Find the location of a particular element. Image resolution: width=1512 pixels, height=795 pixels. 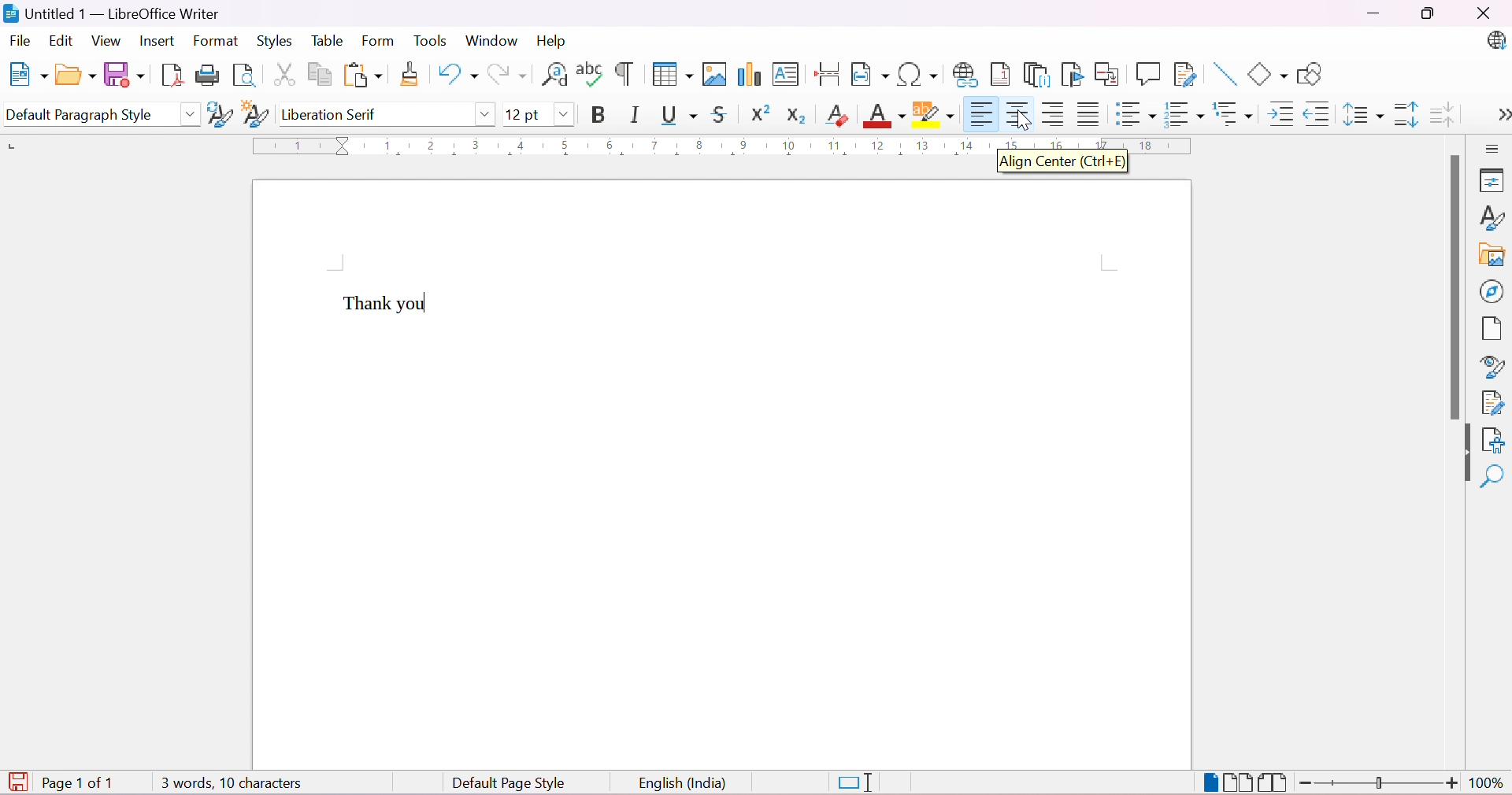

Character Highlighting Color is located at coordinates (932, 116).